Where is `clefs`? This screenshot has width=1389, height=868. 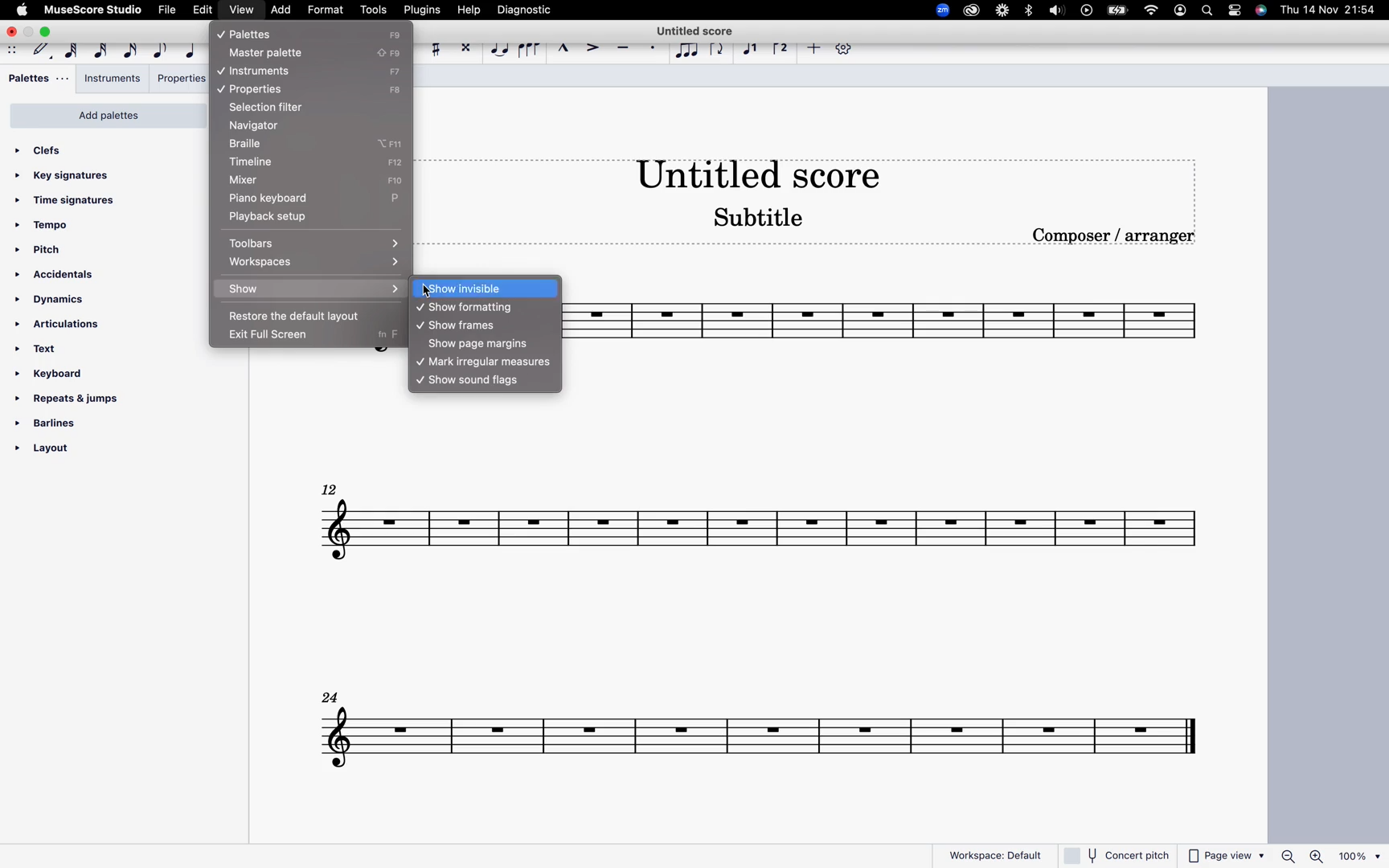 clefs is located at coordinates (47, 150).